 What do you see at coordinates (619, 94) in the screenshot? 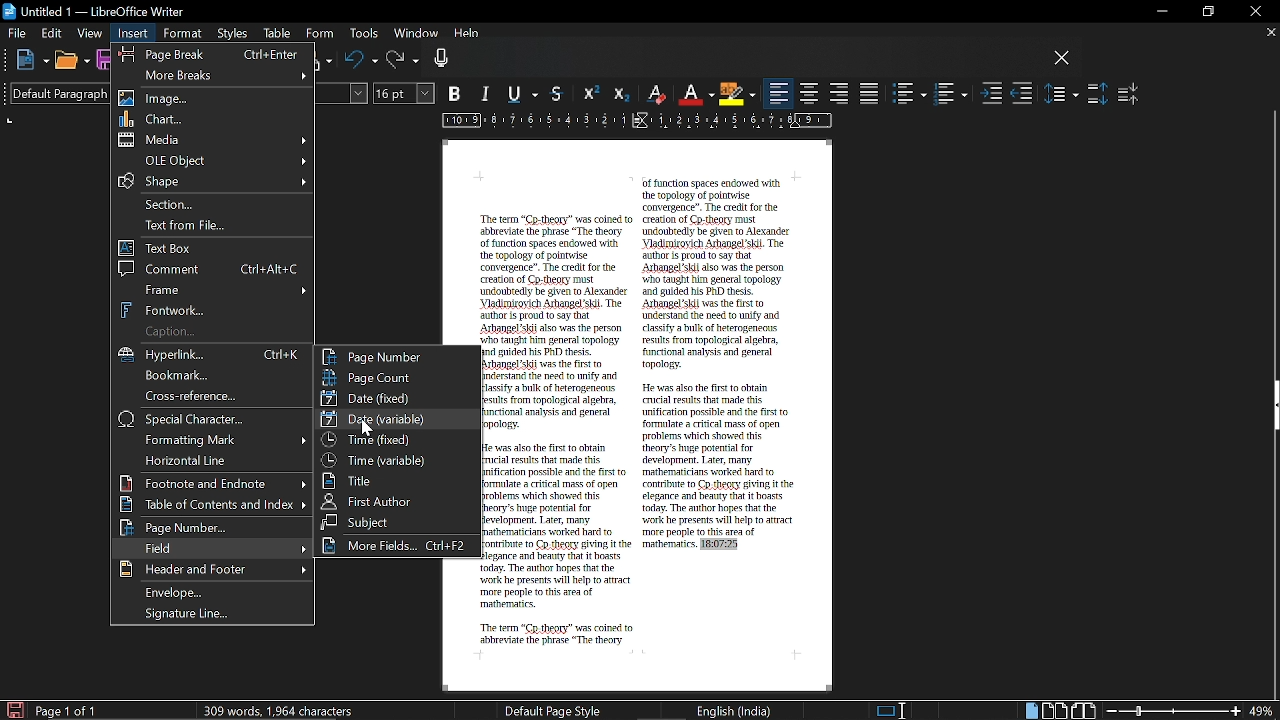
I see `Subscript` at bounding box center [619, 94].